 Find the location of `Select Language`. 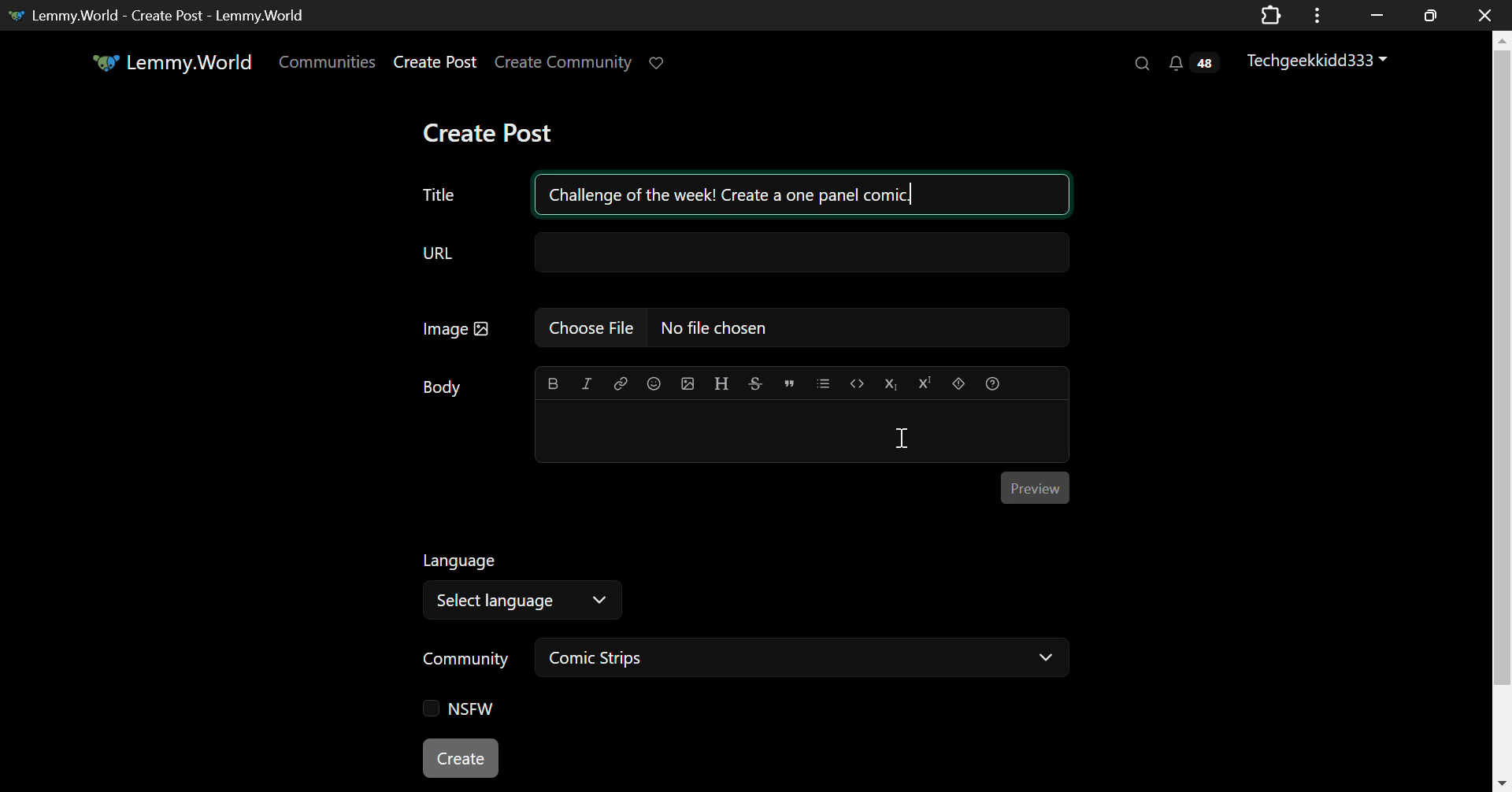

Select Language is located at coordinates (521, 601).